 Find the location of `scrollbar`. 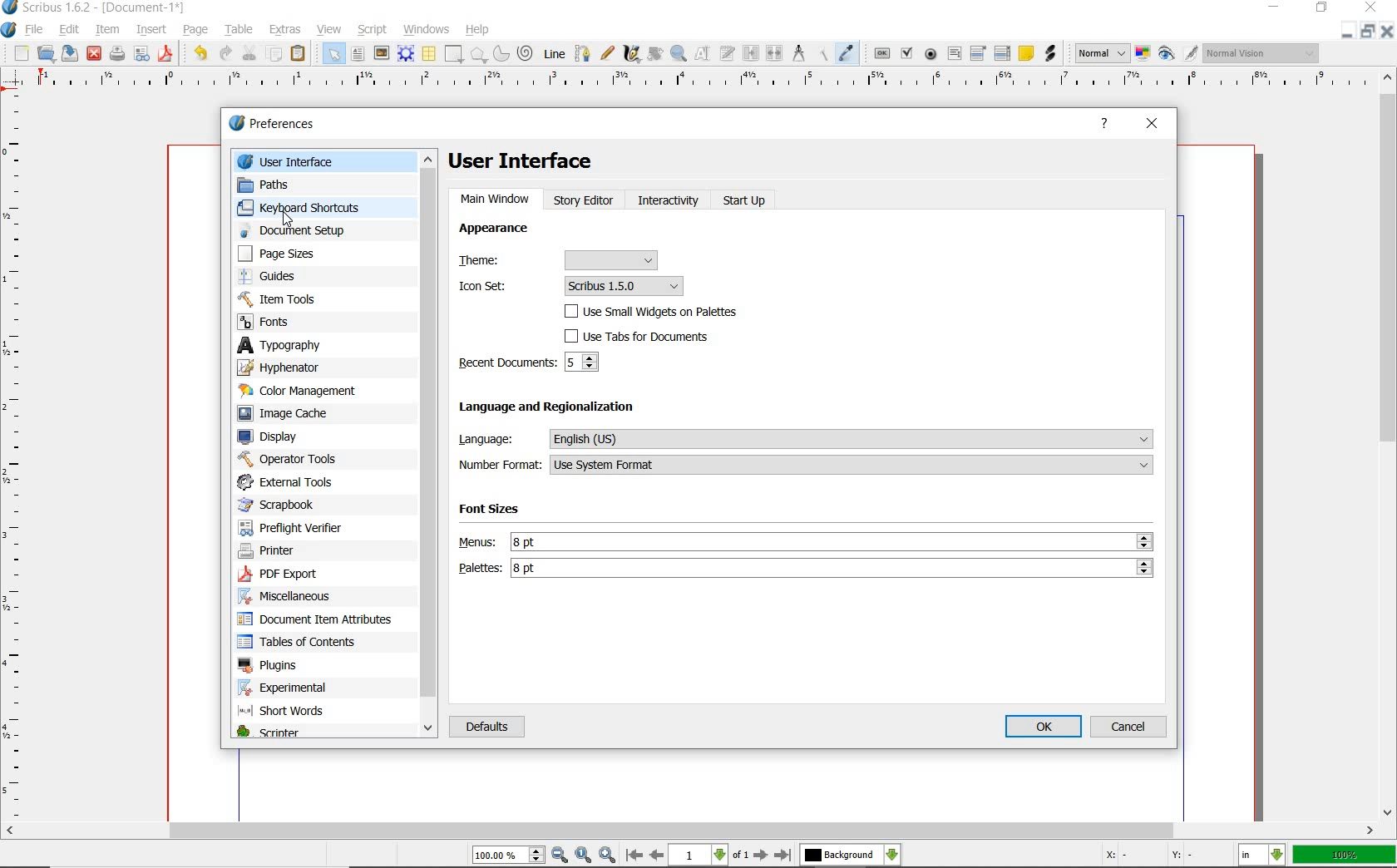

scrollbar is located at coordinates (689, 832).